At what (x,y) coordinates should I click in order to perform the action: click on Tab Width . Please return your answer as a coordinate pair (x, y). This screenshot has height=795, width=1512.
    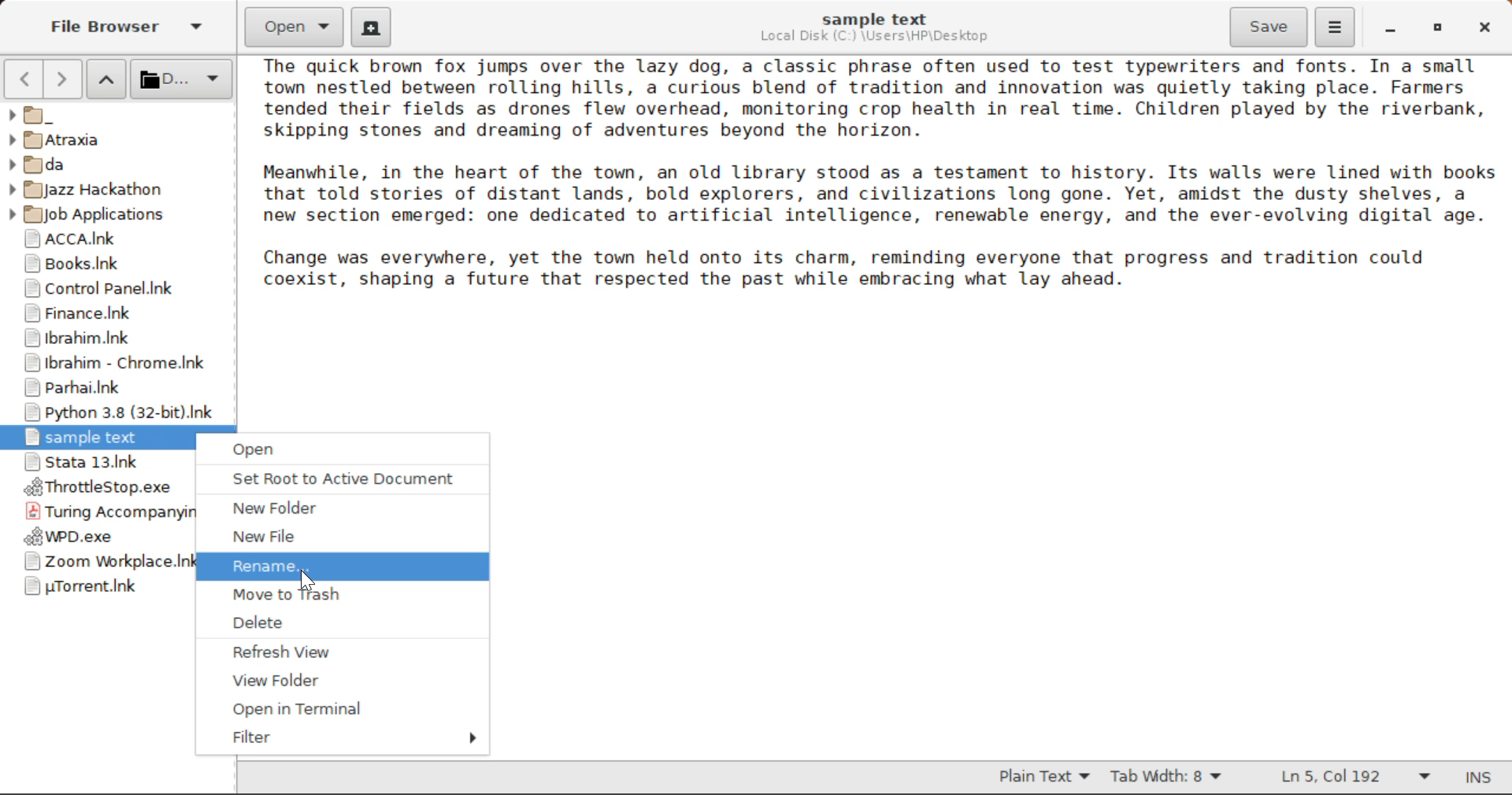
    Looking at the image, I should click on (1166, 778).